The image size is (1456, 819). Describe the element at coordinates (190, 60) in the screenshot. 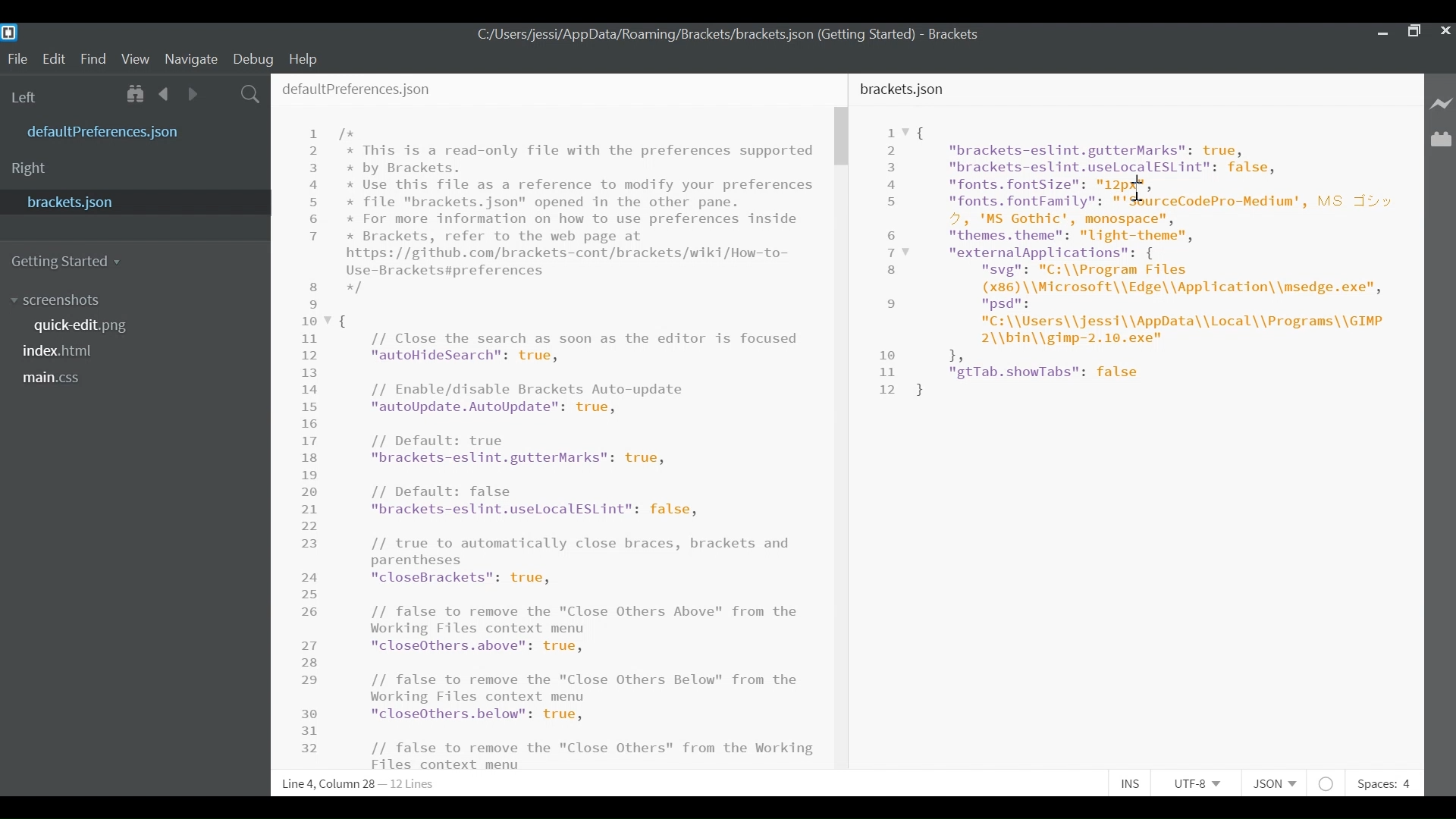

I see `Navigate` at that location.